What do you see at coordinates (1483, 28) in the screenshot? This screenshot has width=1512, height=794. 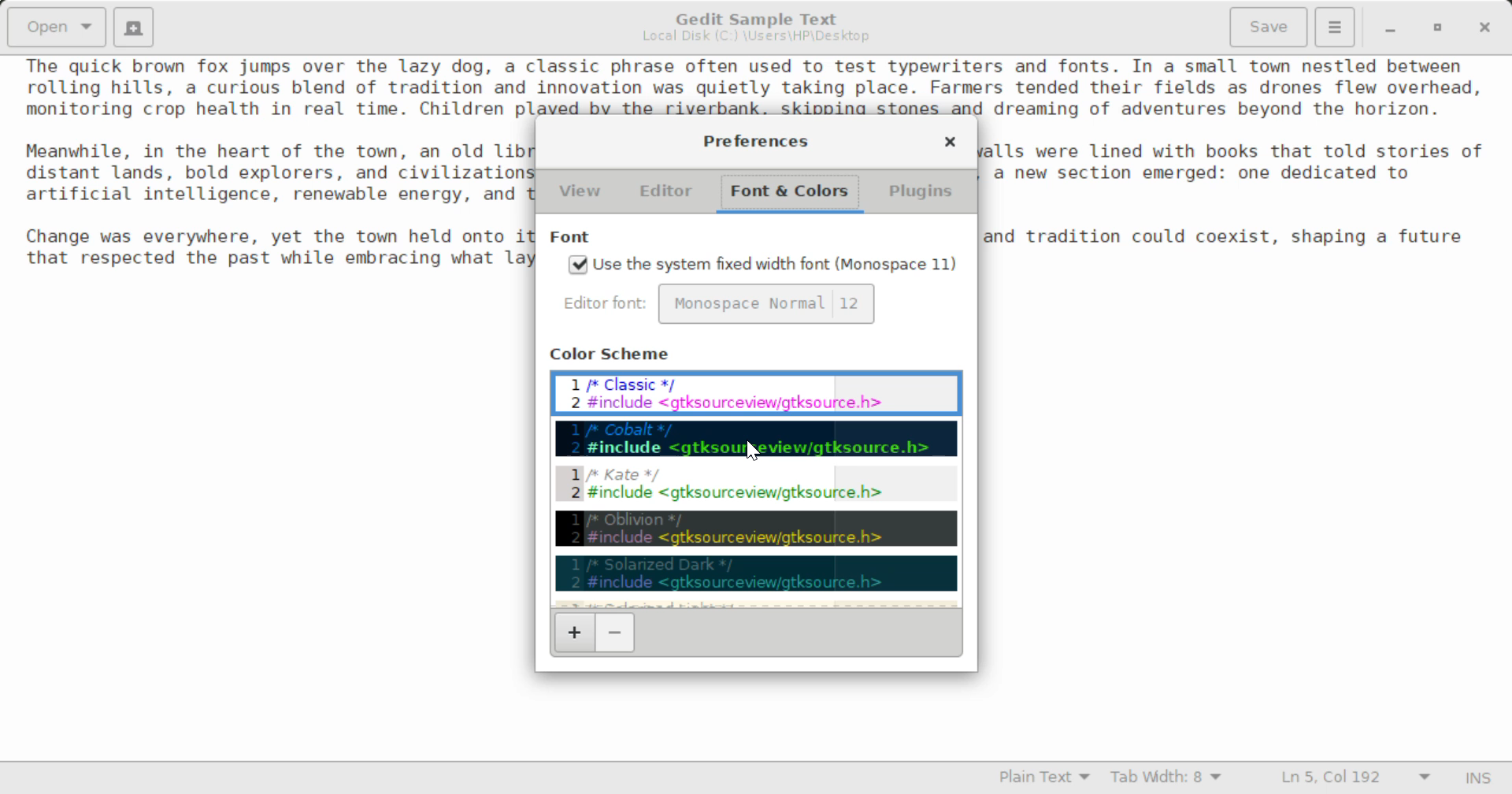 I see `Close Window` at bounding box center [1483, 28].